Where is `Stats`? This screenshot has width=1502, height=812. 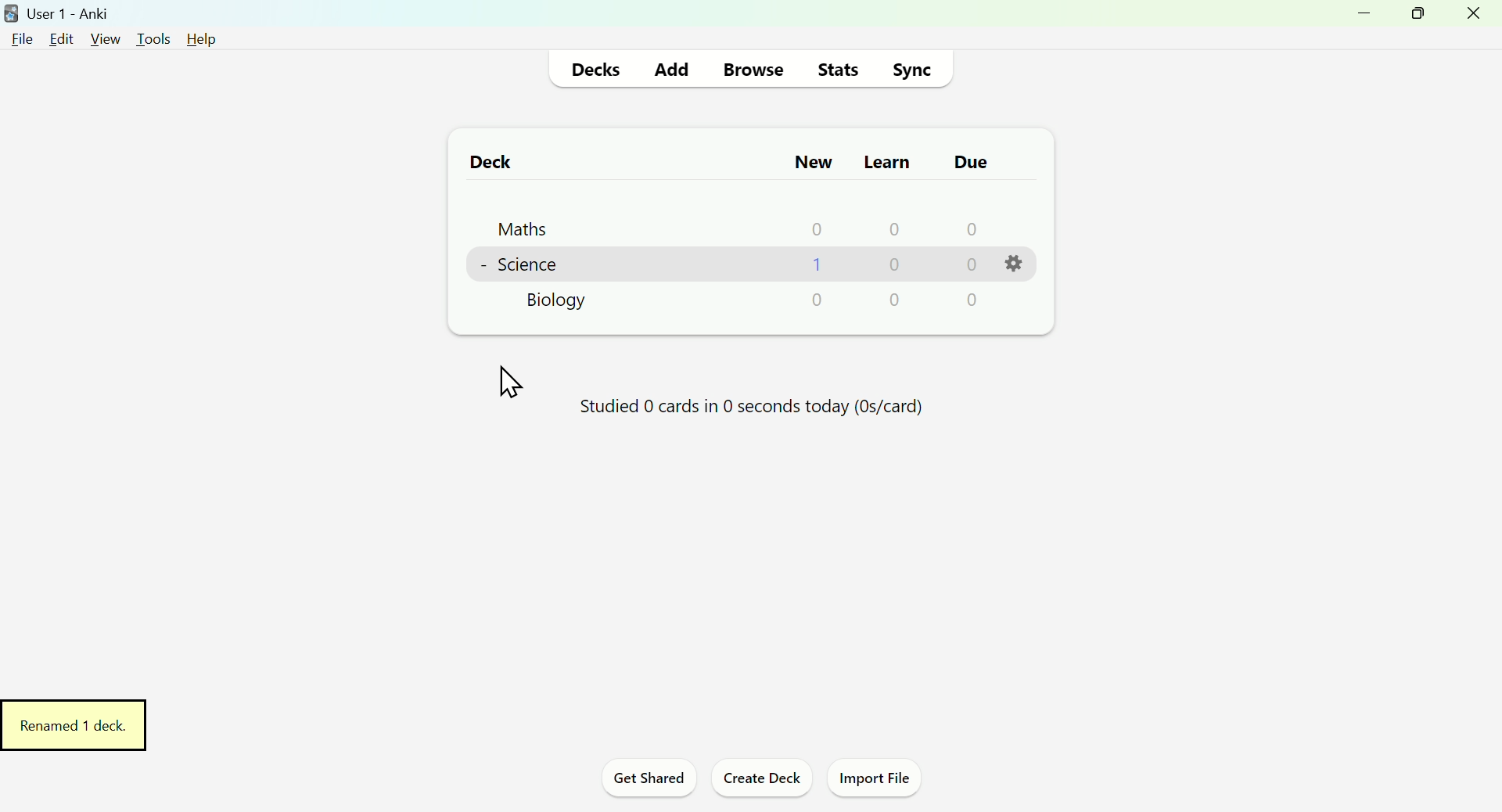 Stats is located at coordinates (839, 68).